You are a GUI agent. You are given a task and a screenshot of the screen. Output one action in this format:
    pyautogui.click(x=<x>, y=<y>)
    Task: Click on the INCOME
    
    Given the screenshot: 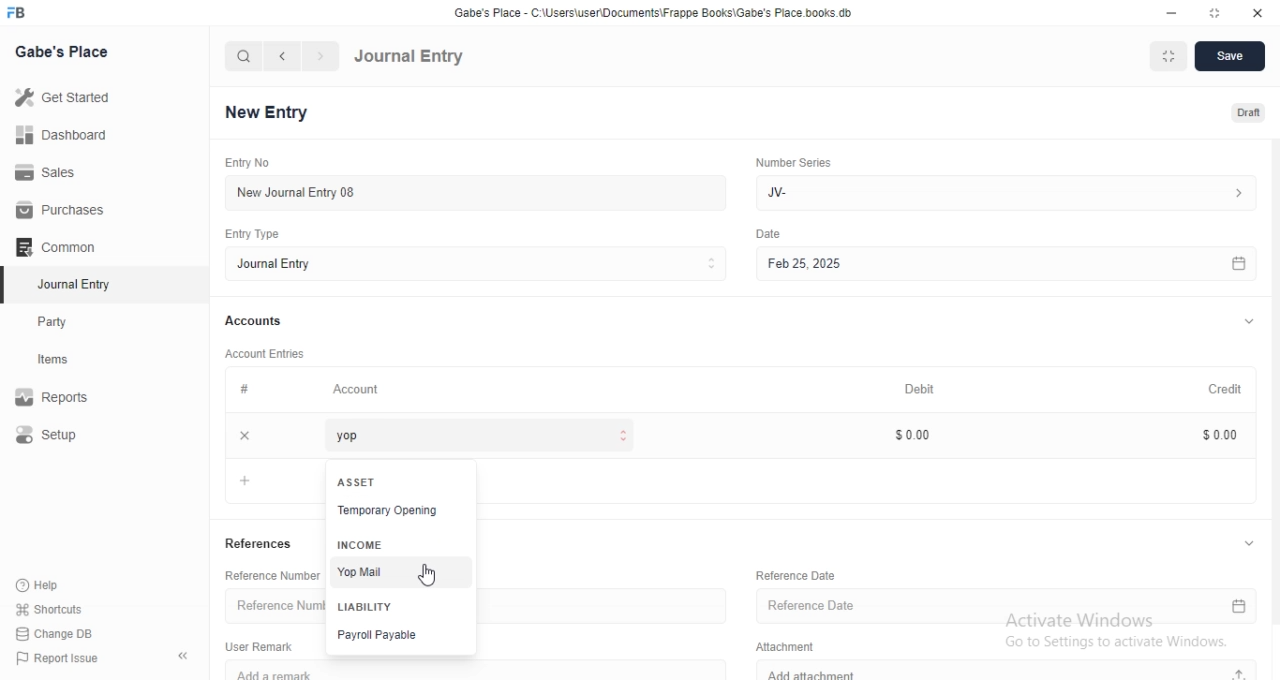 What is the action you would take?
    pyautogui.click(x=357, y=544)
    